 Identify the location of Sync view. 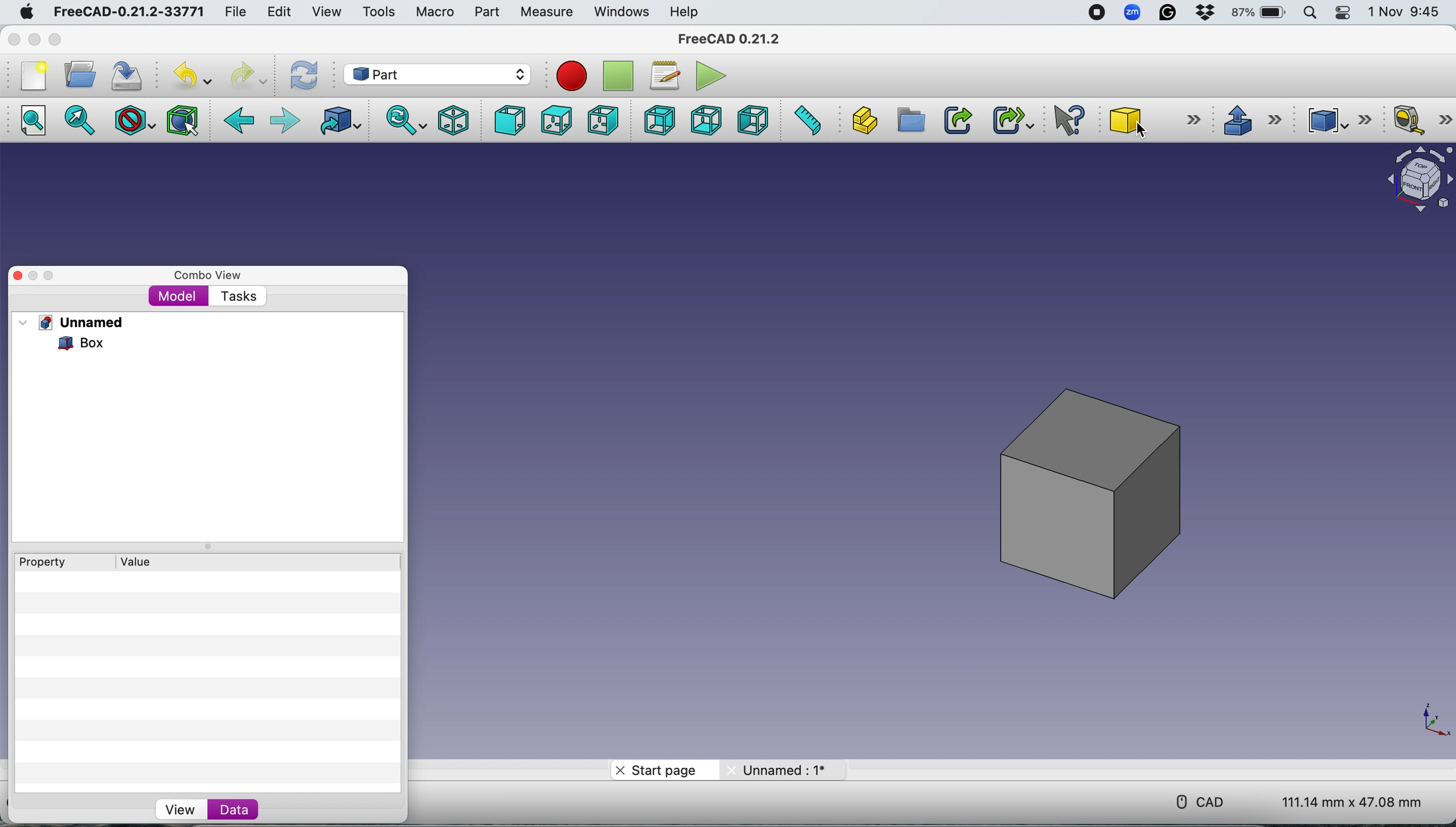
(402, 120).